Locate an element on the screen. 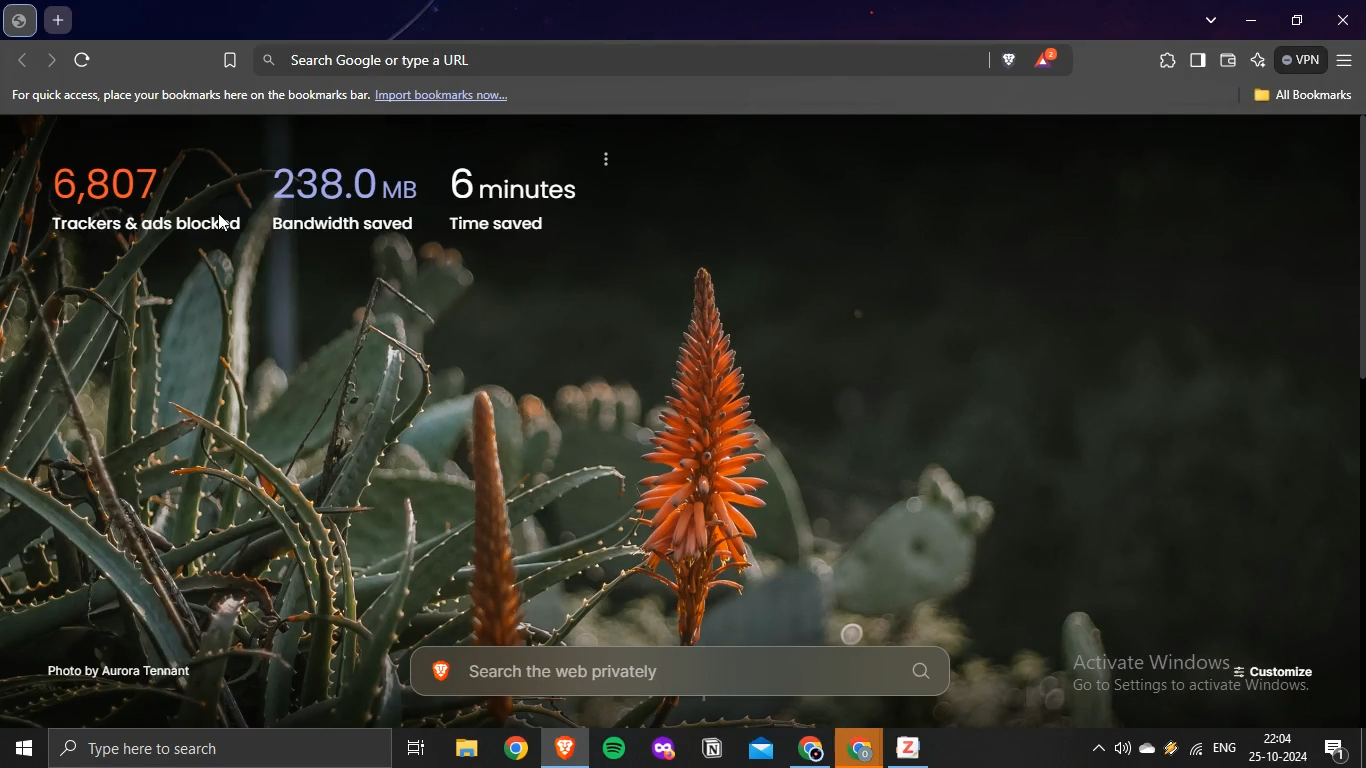 The height and width of the screenshot is (768, 1366). refresh is located at coordinates (84, 59).